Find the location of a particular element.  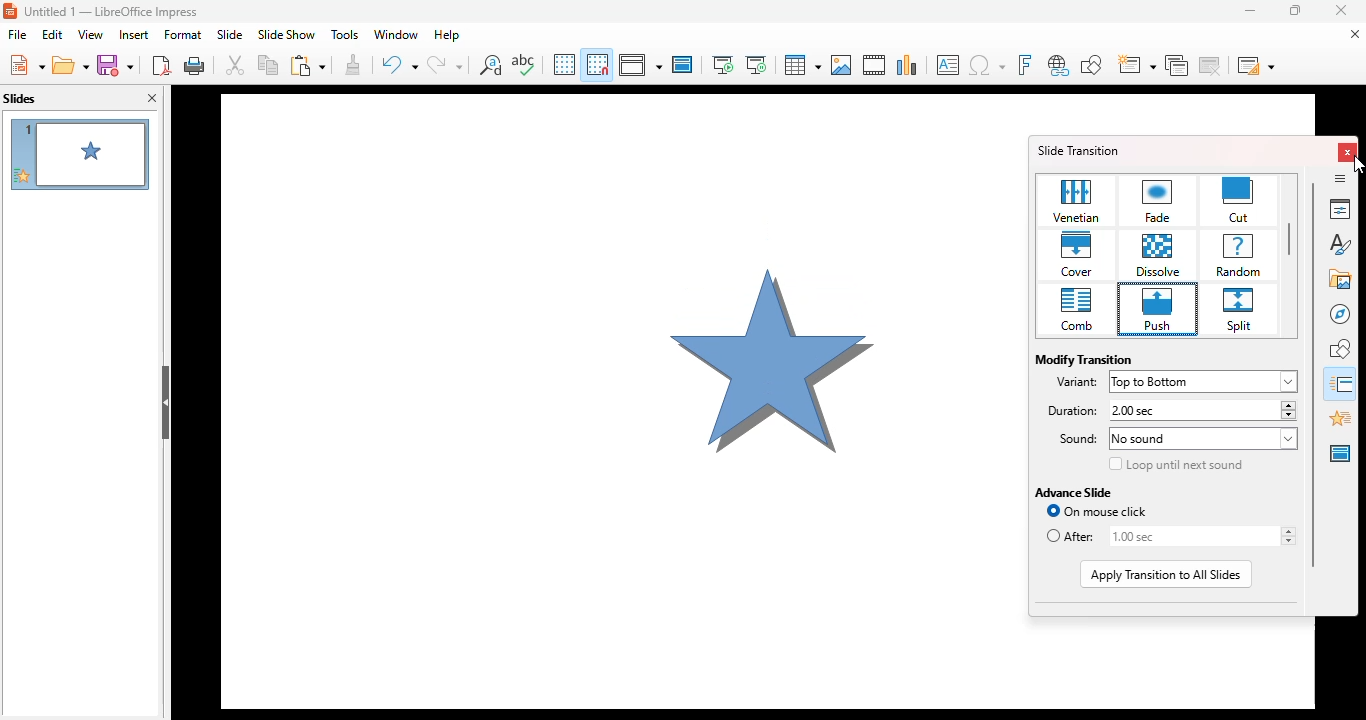

comb is located at coordinates (1076, 310).